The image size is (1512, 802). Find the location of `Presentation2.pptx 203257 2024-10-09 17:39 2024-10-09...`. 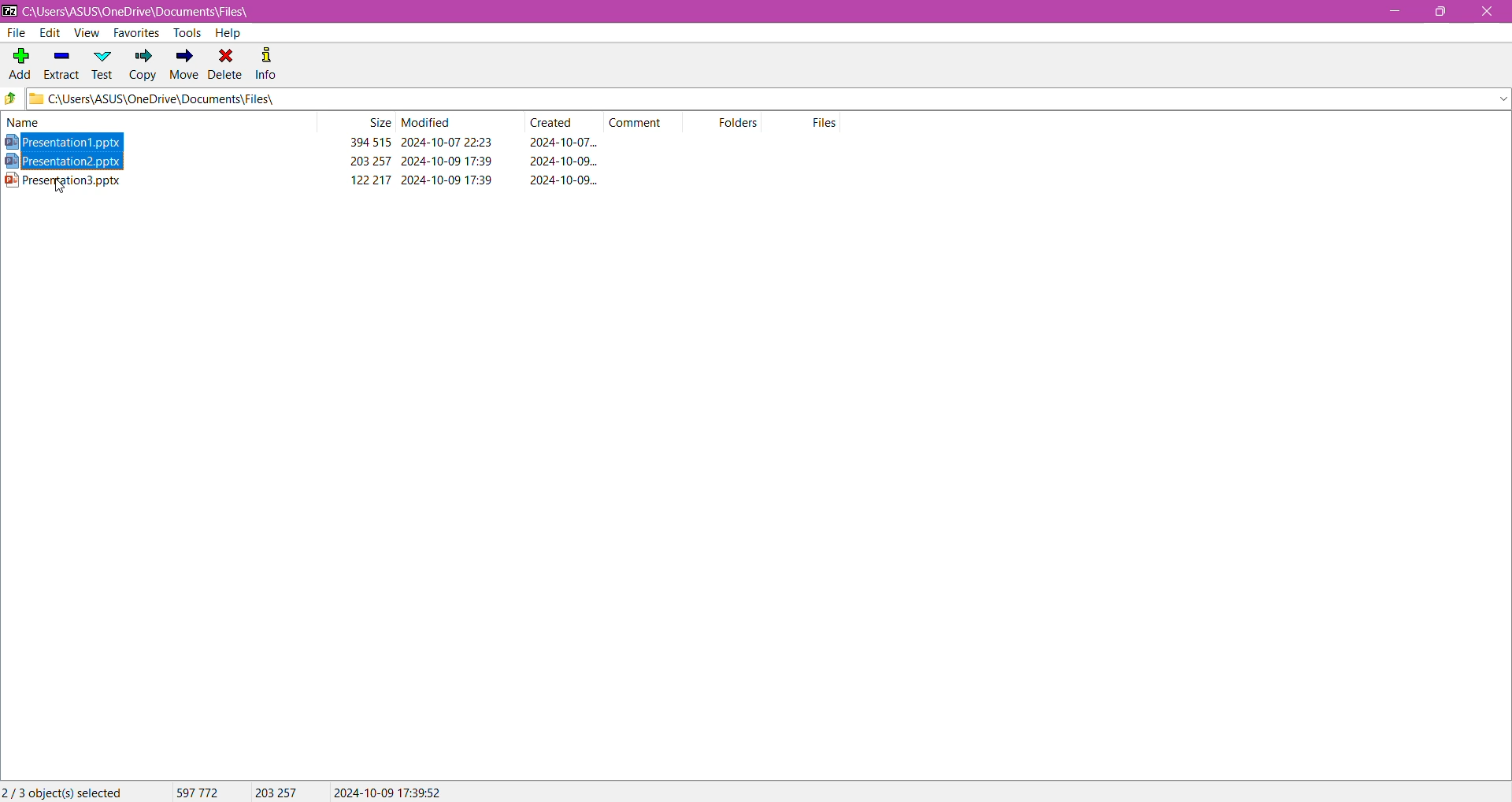

Presentation2.pptx 203257 2024-10-09 17:39 2024-10-09... is located at coordinates (314, 161).